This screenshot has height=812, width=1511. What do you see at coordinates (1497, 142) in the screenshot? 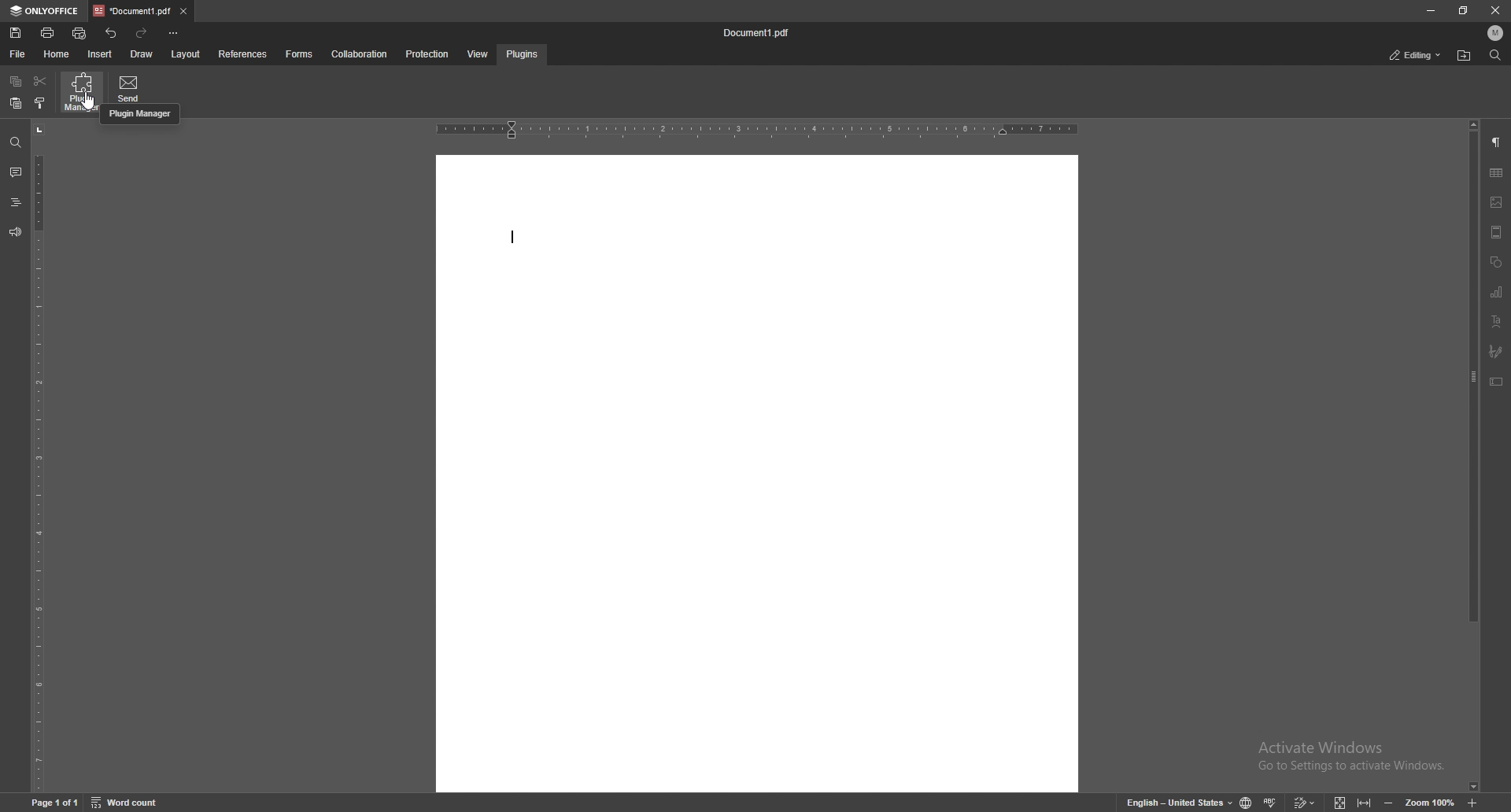
I see `paragraph` at bounding box center [1497, 142].